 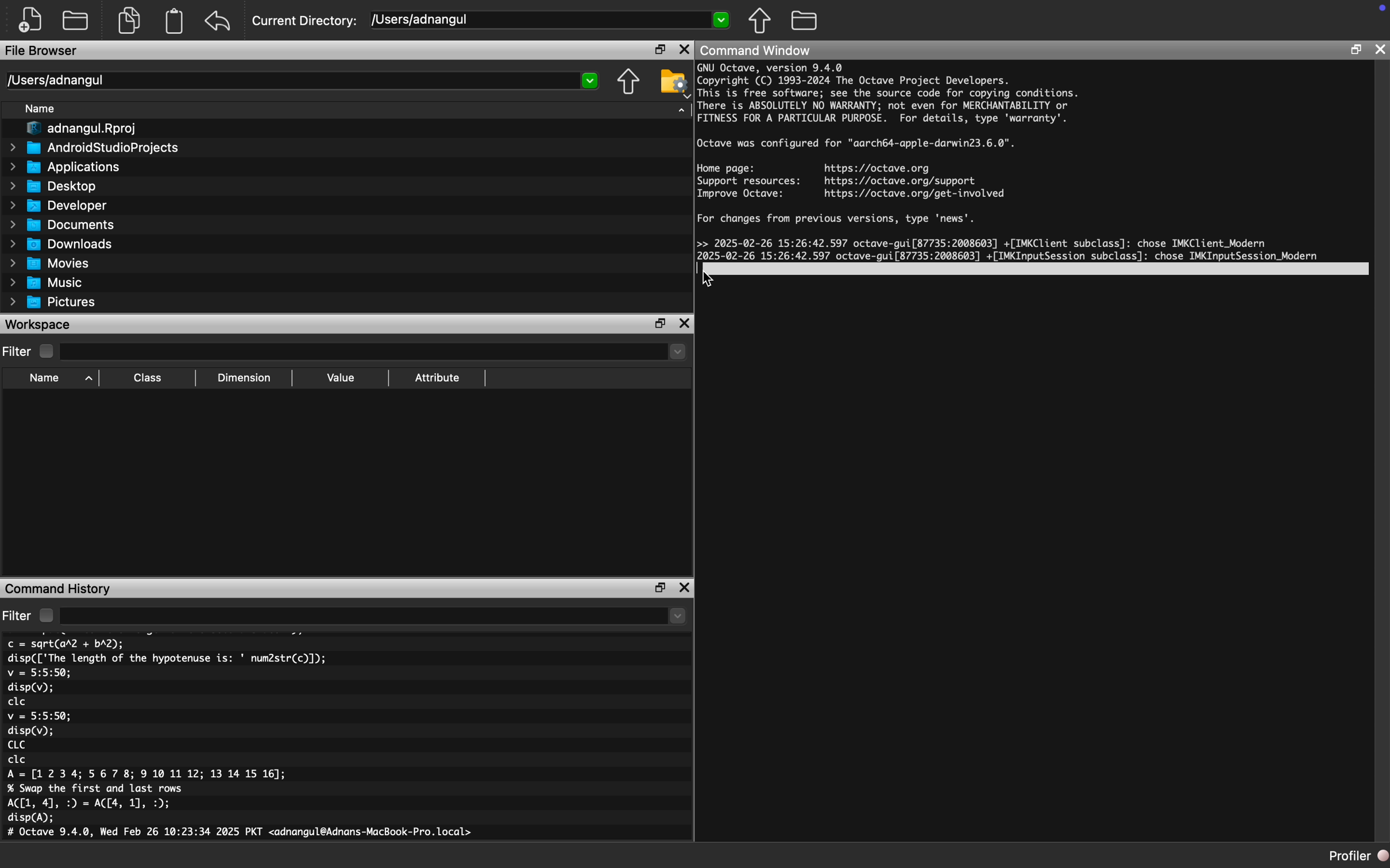 What do you see at coordinates (685, 588) in the screenshot?
I see `Close` at bounding box center [685, 588].